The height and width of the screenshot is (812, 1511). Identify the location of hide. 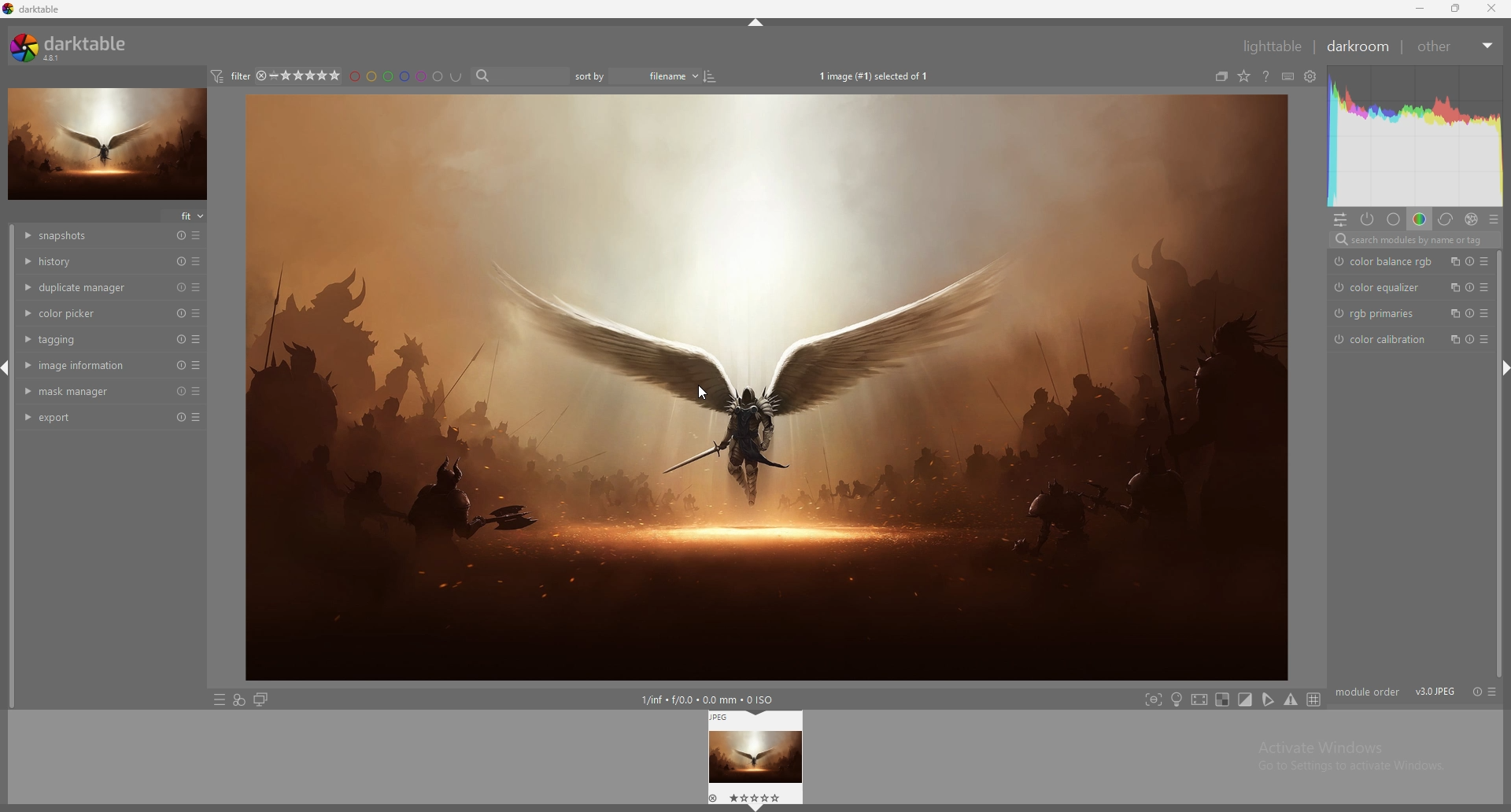
(755, 25).